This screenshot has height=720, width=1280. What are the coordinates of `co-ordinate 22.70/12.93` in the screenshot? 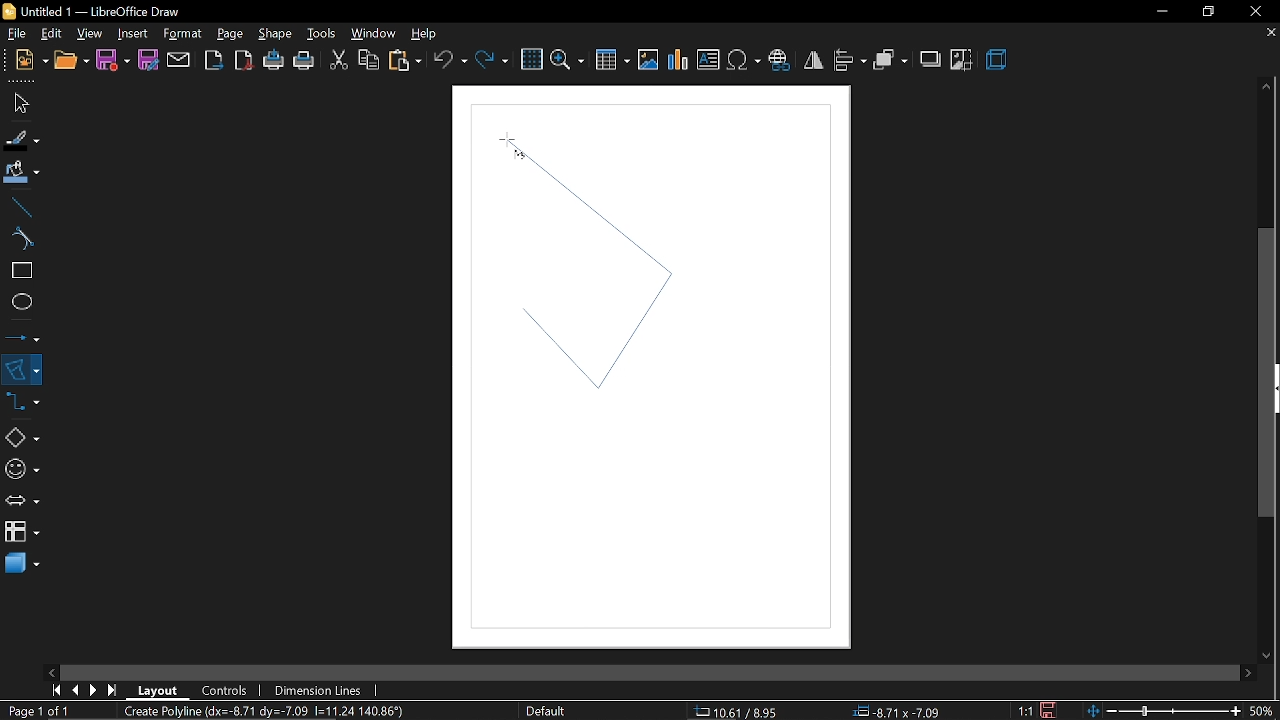 It's located at (742, 711).